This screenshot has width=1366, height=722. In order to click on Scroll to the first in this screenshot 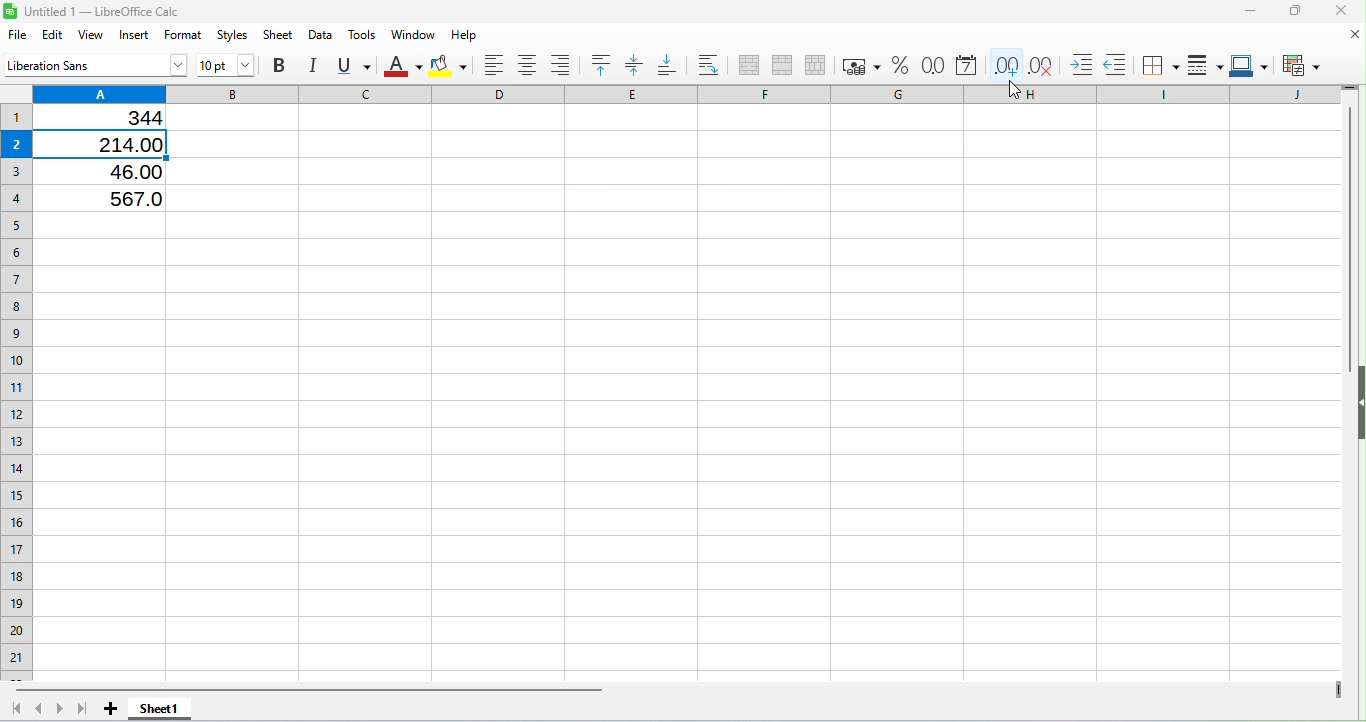, I will do `click(17, 710)`.